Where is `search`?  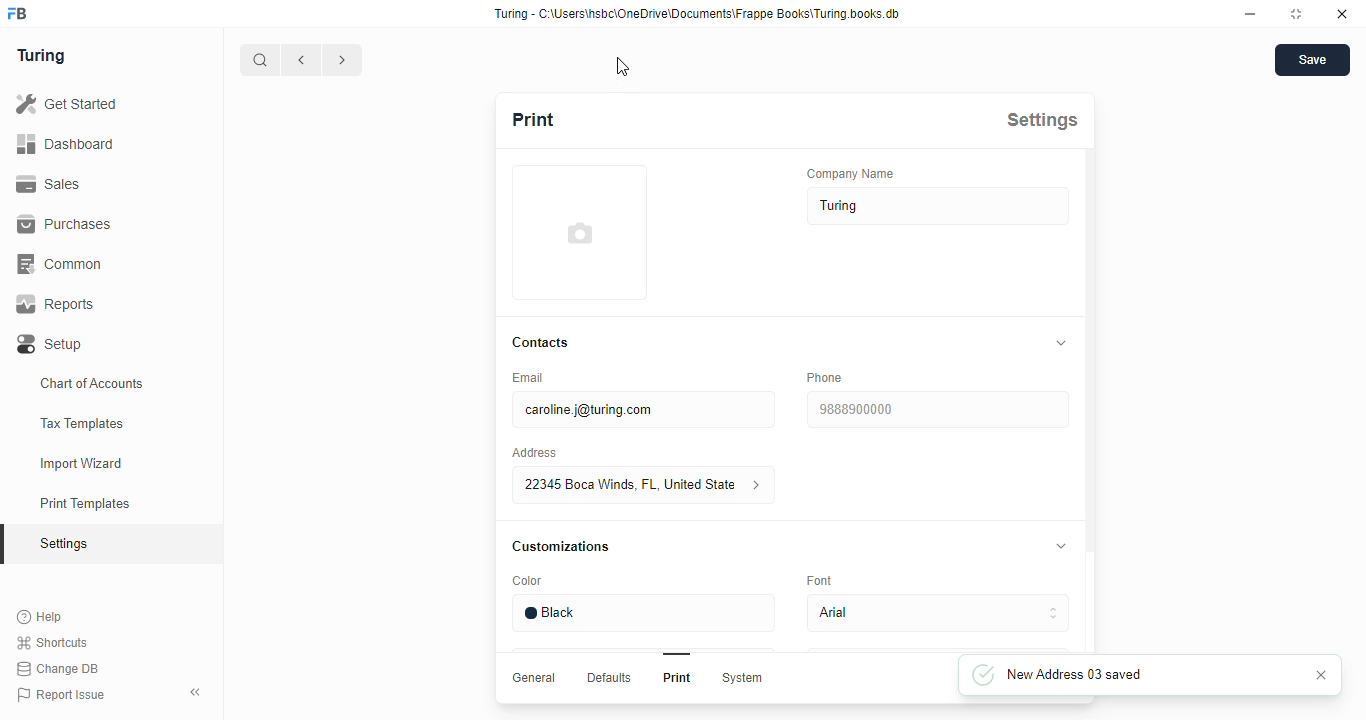 search is located at coordinates (260, 60).